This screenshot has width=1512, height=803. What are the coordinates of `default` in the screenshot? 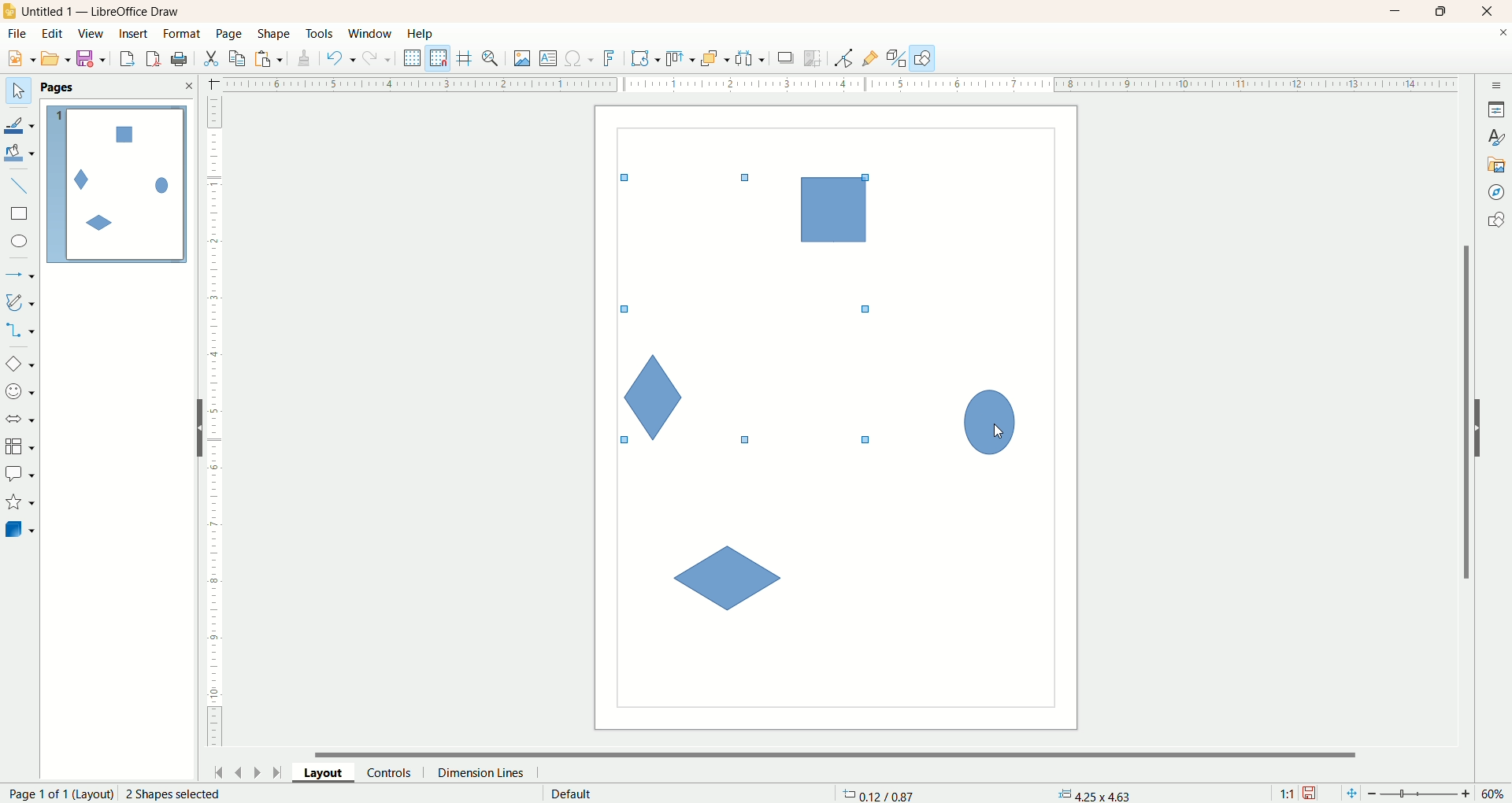 It's located at (573, 794).